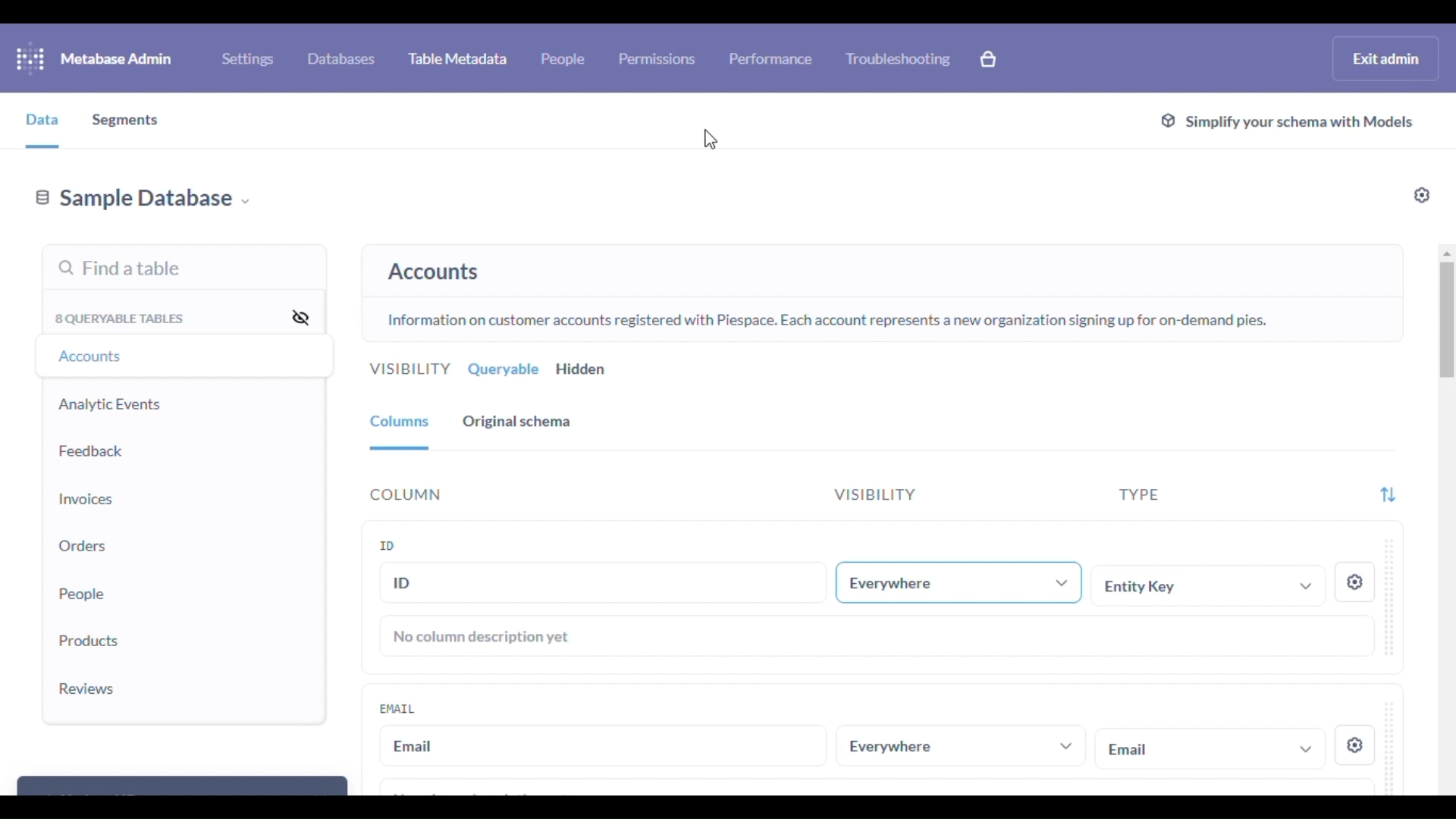  Describe the element at coordinates (827, 322) in the screenshot. I see `Information on customer accounts registered with Piespace. Each account represents a new organization signing up for on-demand pies.` at that location.